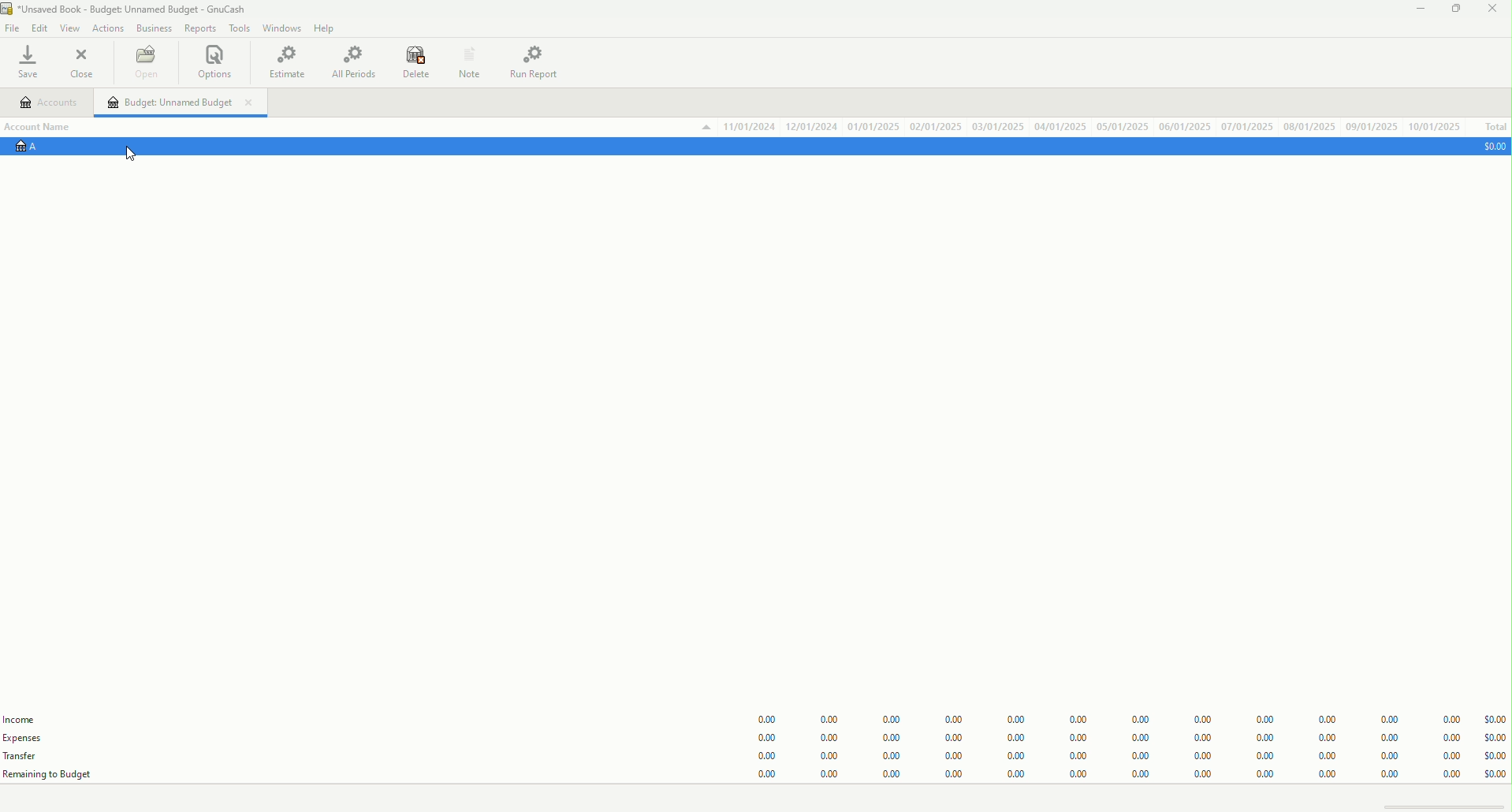 This screenshot has width=1512, height=812. What do you see at coordinates (1415, 9) in the screenshot?
I see `Minimize` at bounding box center [1415, 9].